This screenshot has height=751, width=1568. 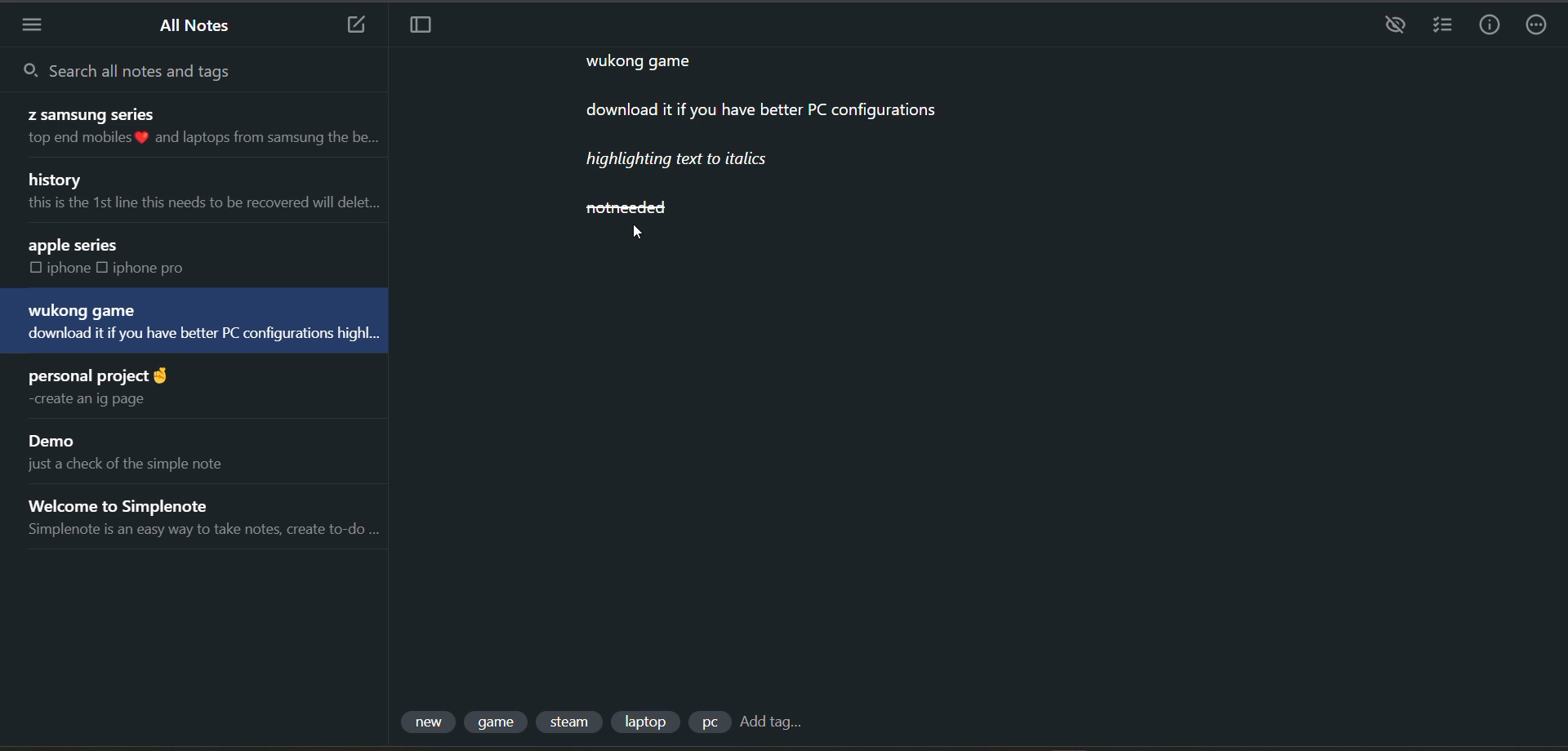 I want to click on preview, so click(x=1395, y=26).